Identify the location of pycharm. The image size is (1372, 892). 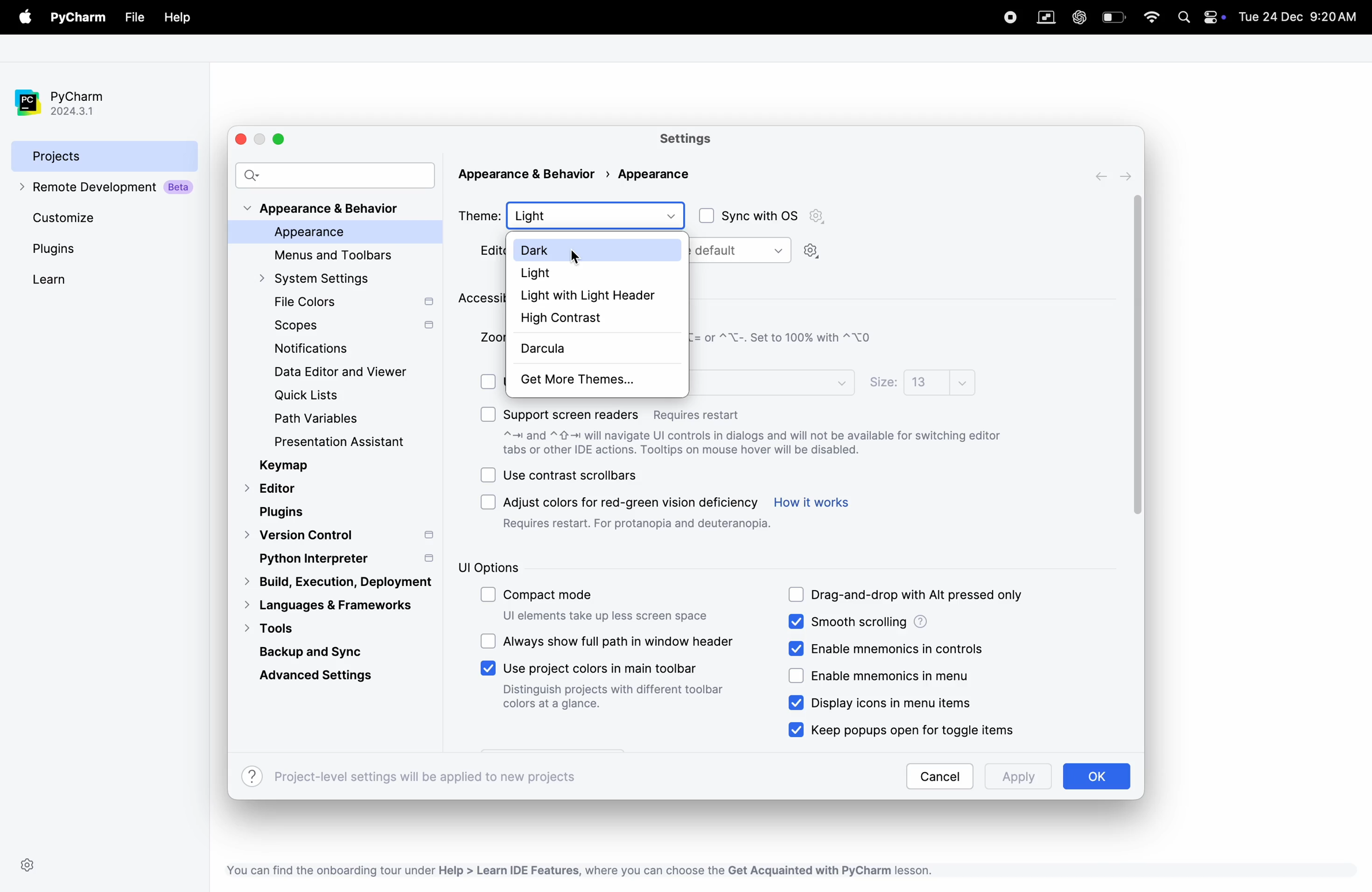
(81, 18).